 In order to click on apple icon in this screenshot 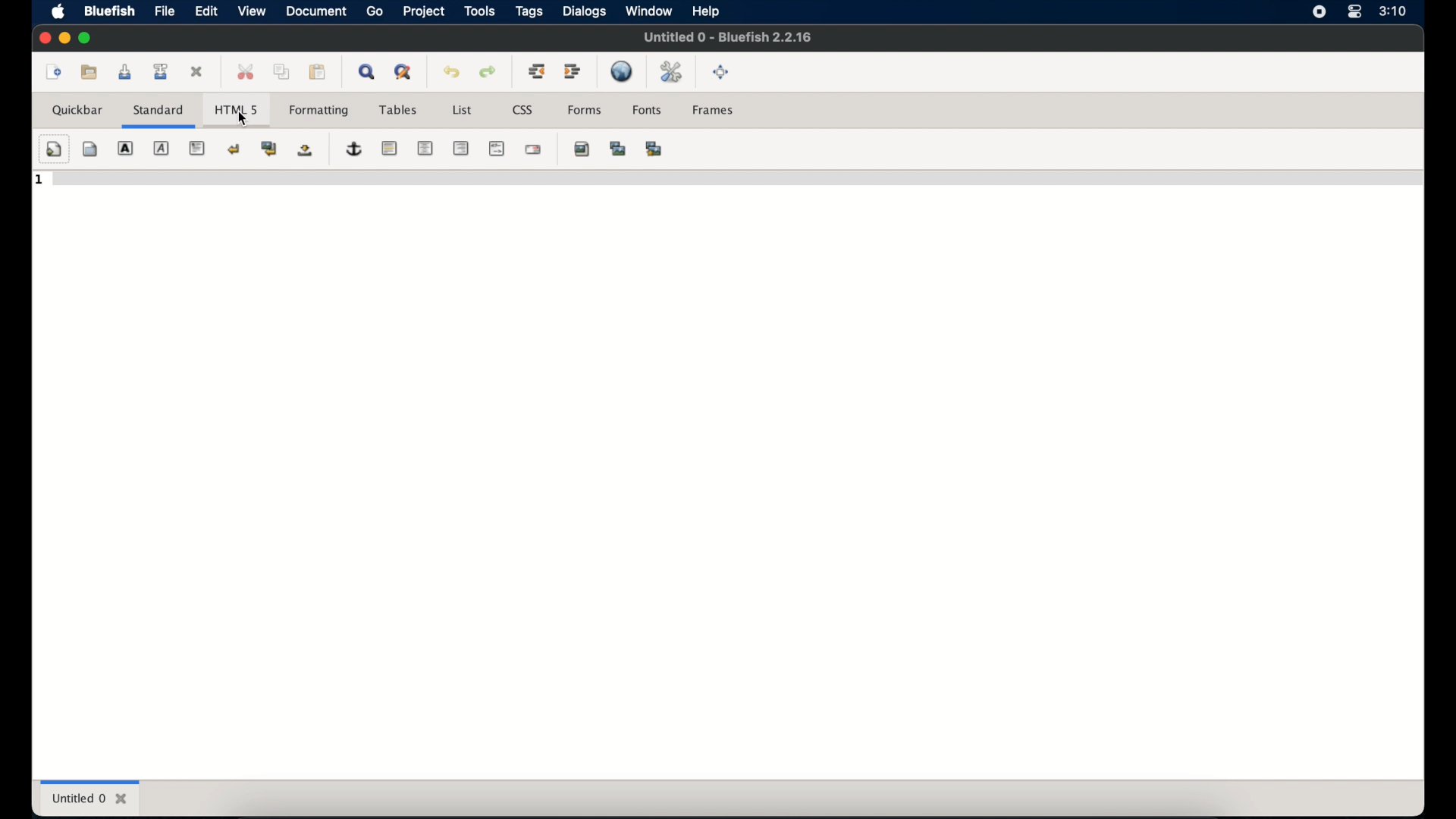, I will do `click(58, 12)`.